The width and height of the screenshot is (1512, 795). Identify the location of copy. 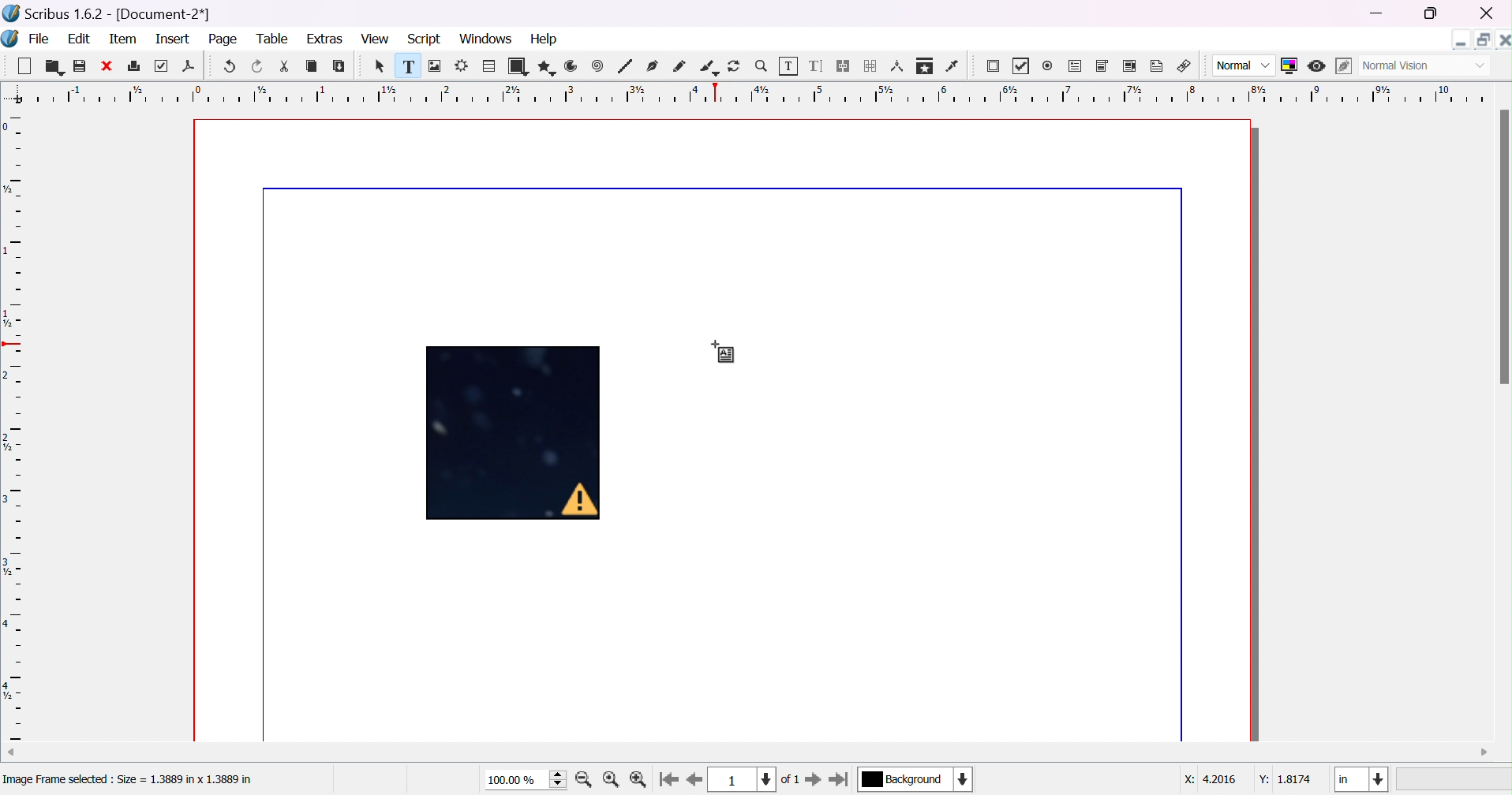
(312, 66).